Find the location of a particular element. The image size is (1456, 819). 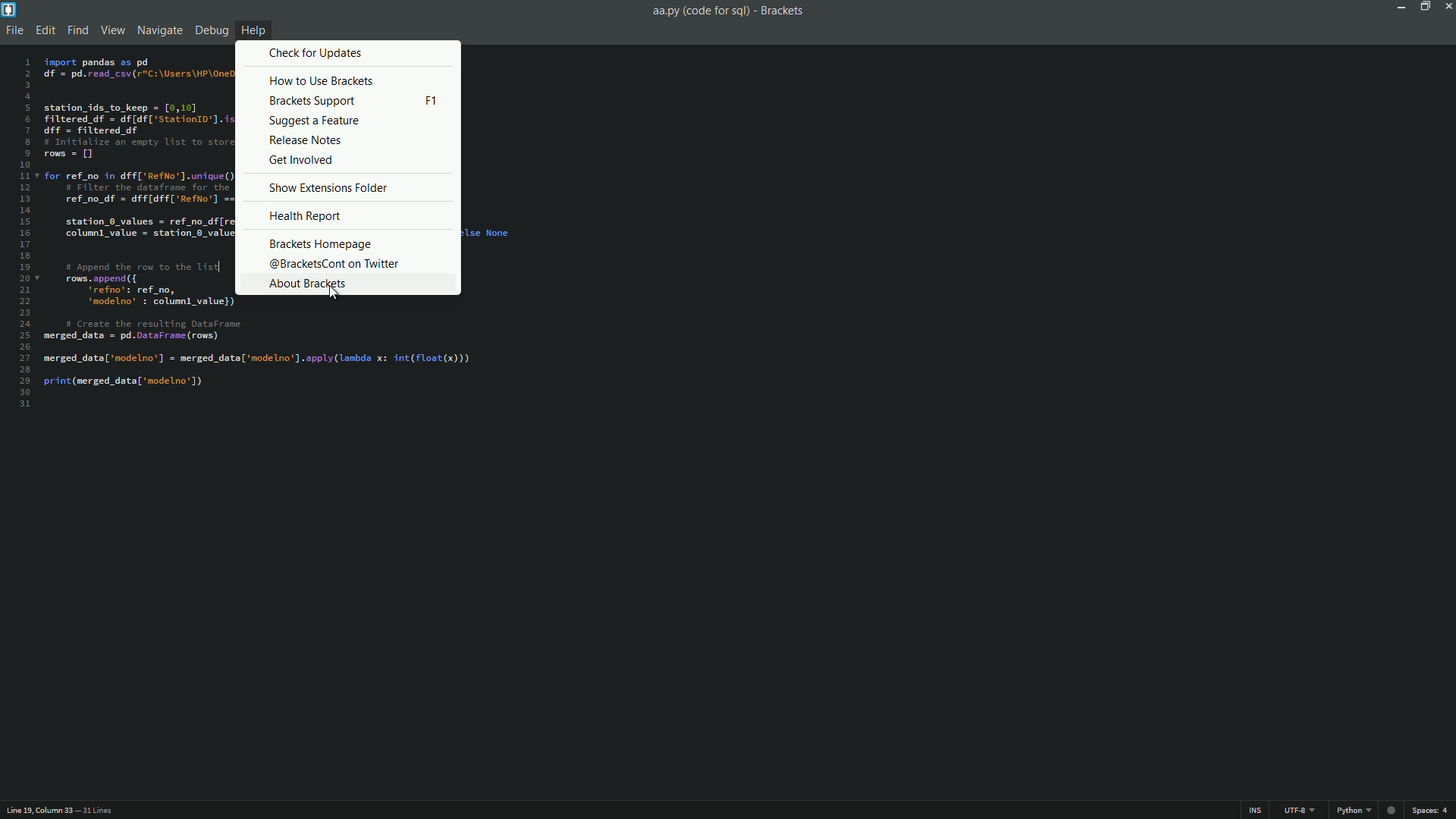

file menu is located at coordinates (16, 29).